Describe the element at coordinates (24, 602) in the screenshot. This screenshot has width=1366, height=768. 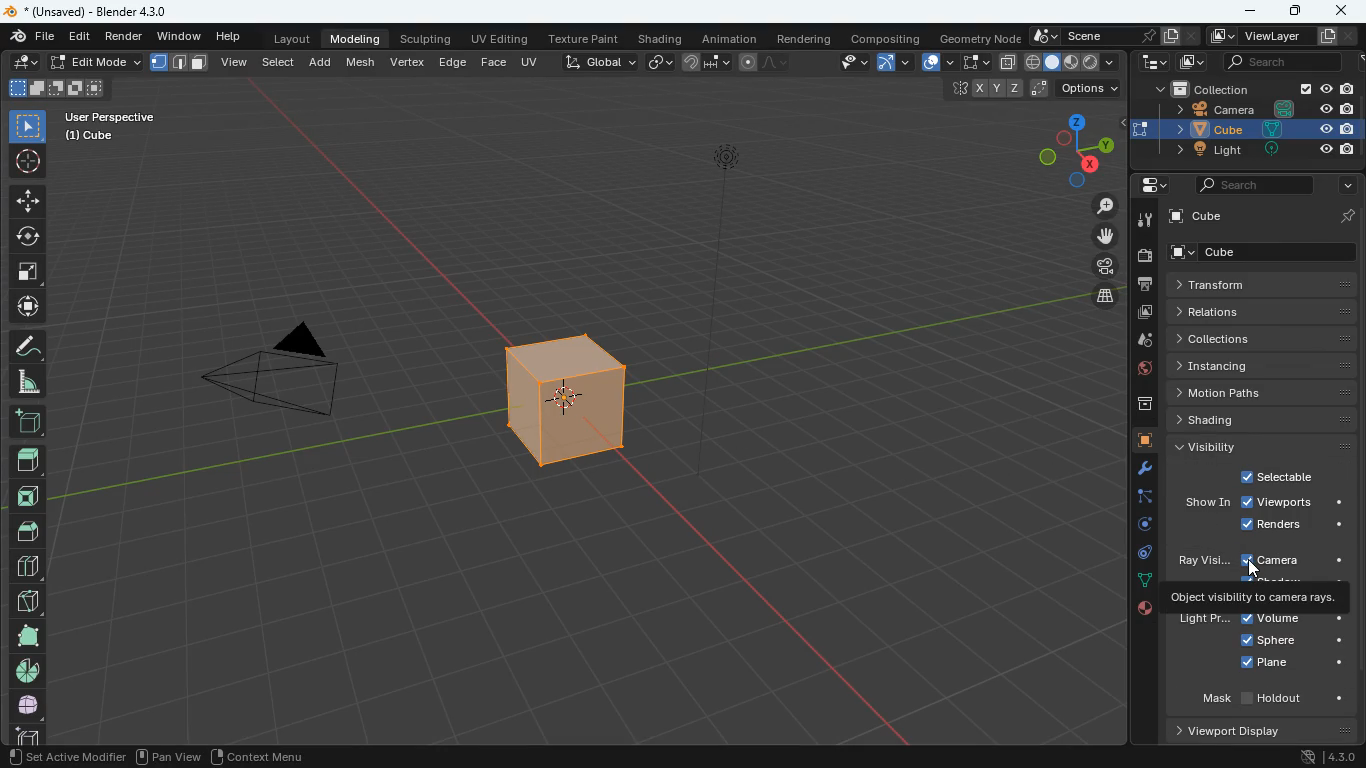
I see `diagonal` at that location.